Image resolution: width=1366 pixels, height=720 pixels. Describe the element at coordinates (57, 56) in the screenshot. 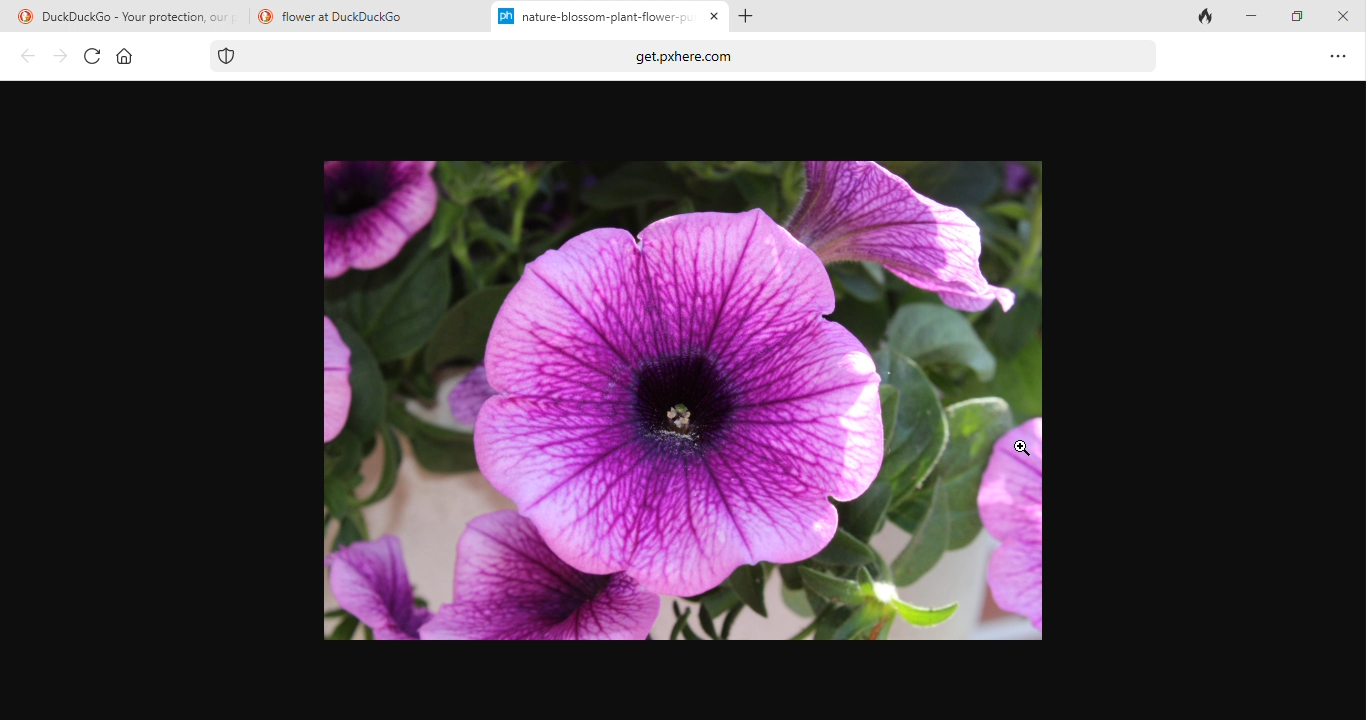

I see `forward` at that location.